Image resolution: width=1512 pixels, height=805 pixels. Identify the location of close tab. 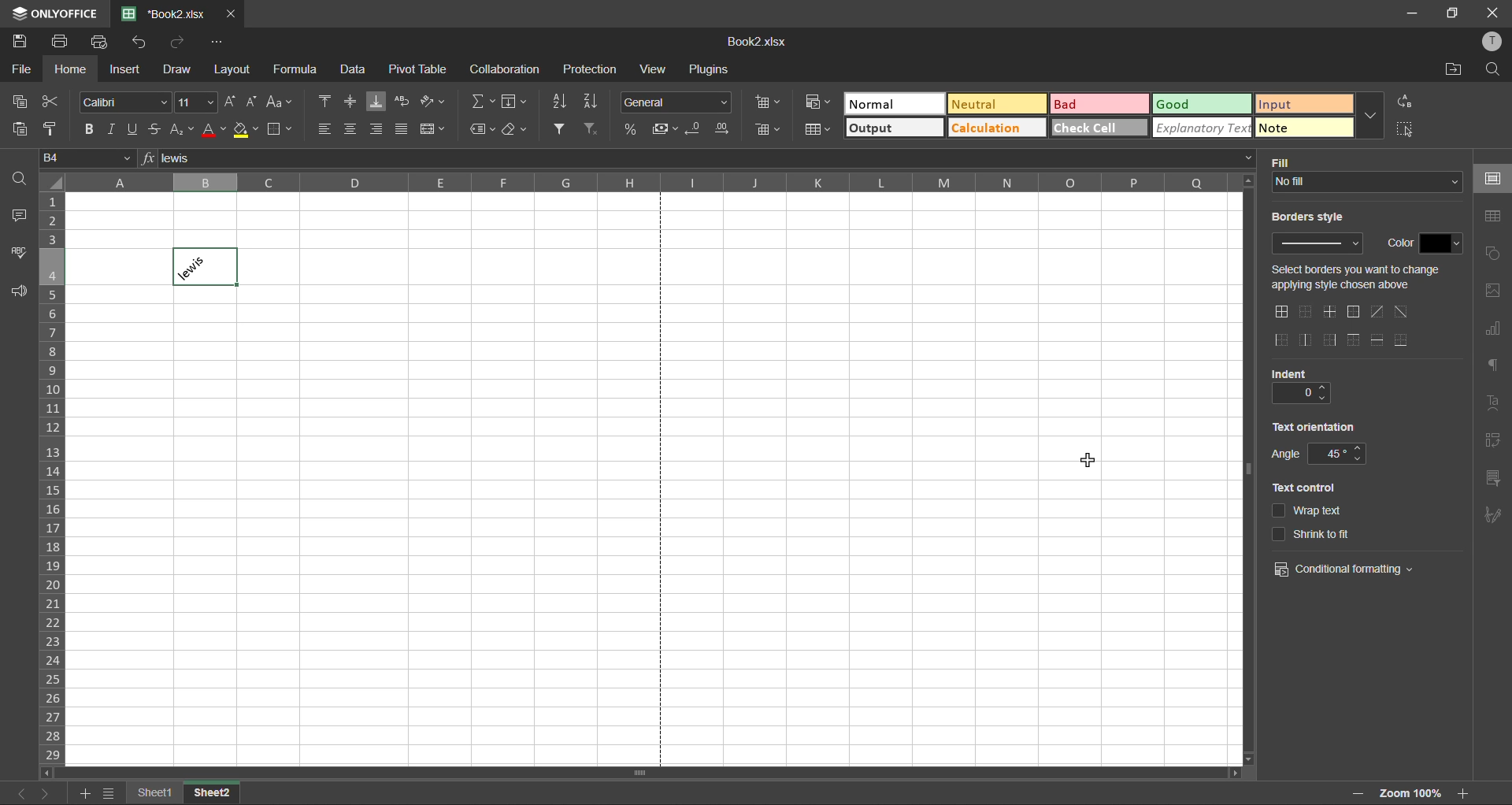
(231, 16).